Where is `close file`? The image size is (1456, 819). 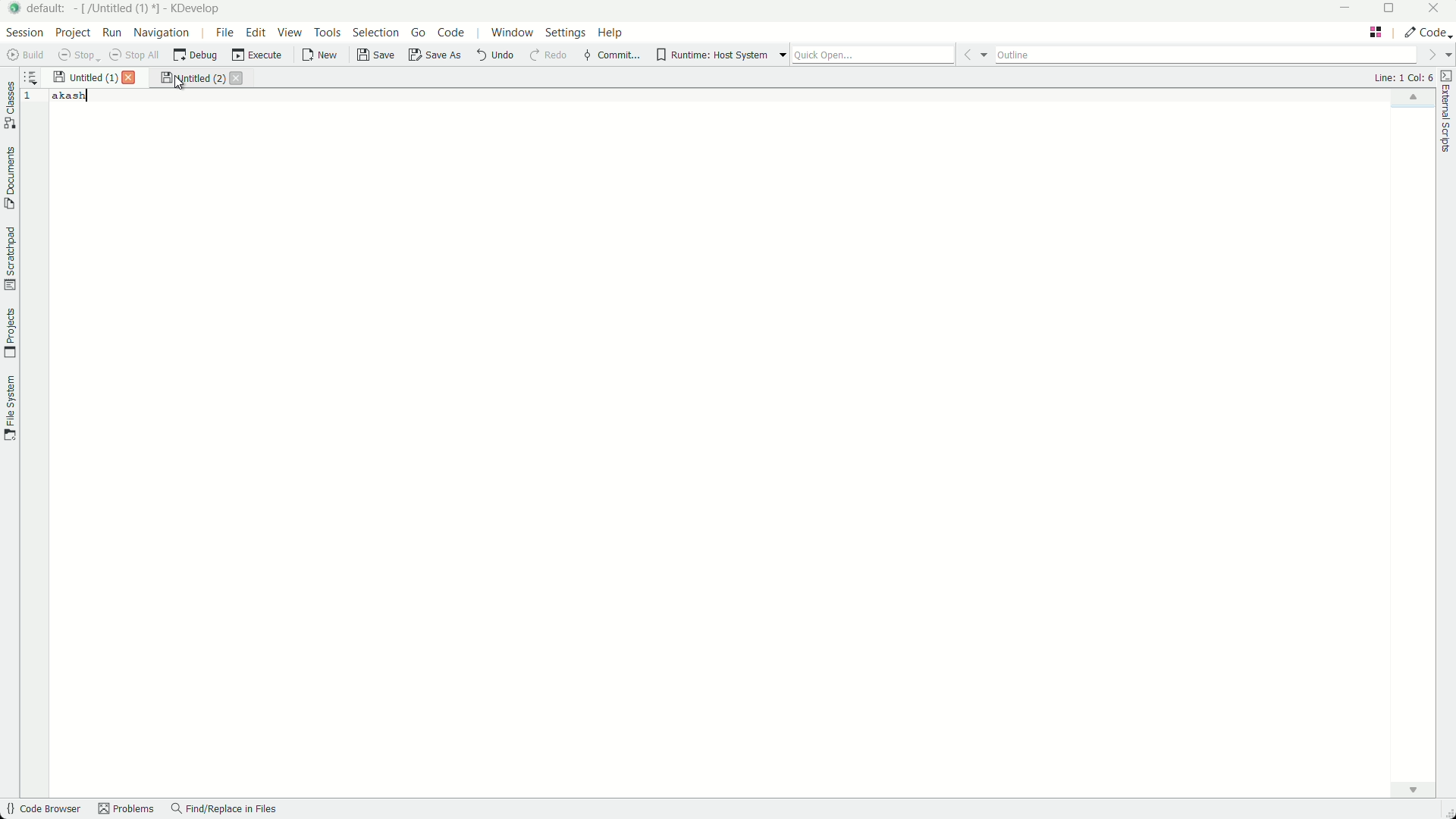 close file is located at coordinates (235, 77).